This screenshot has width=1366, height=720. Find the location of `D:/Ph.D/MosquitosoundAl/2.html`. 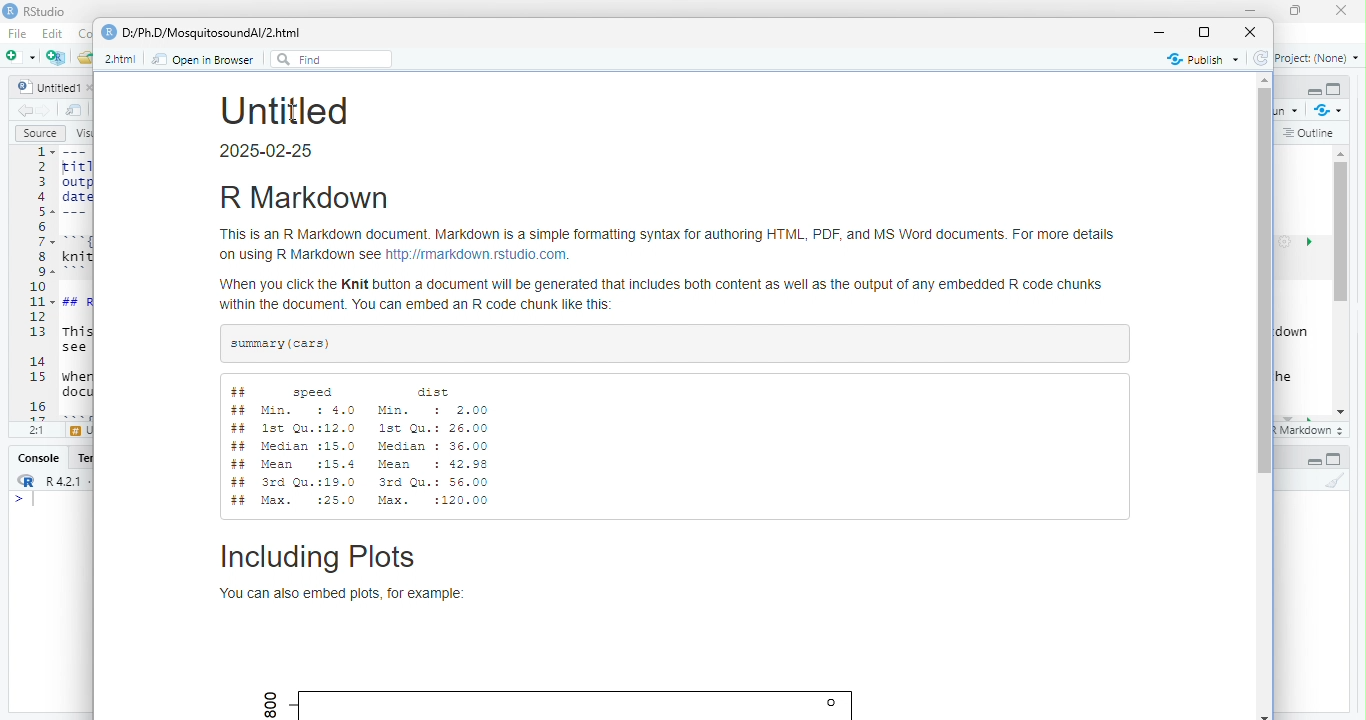

D:/Ph.D/MosquitosoundAl/2.html is located at coordinates (211, 33).